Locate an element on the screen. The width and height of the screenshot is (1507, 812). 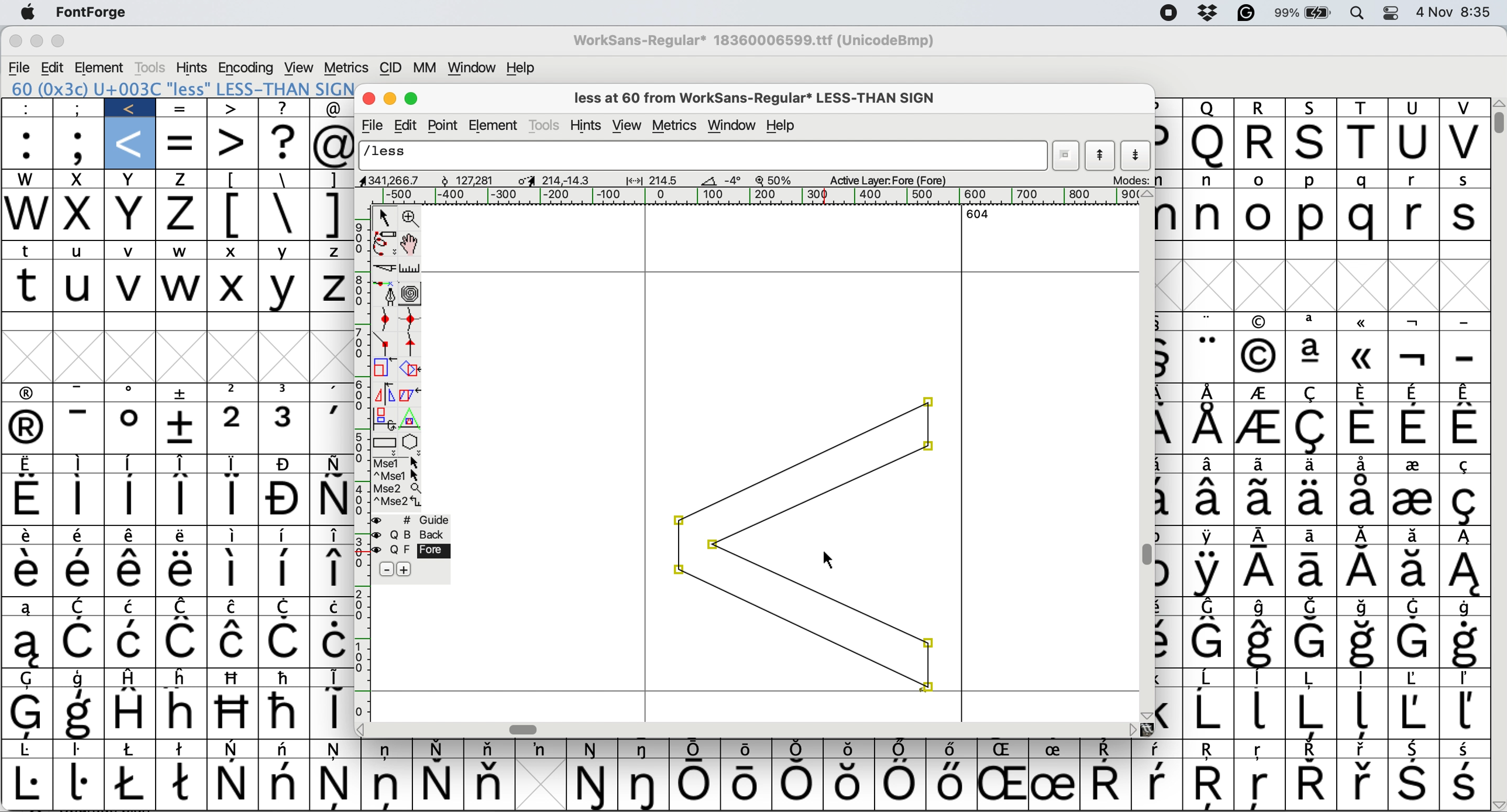
Symbol is located at coordinates (1309, 714).